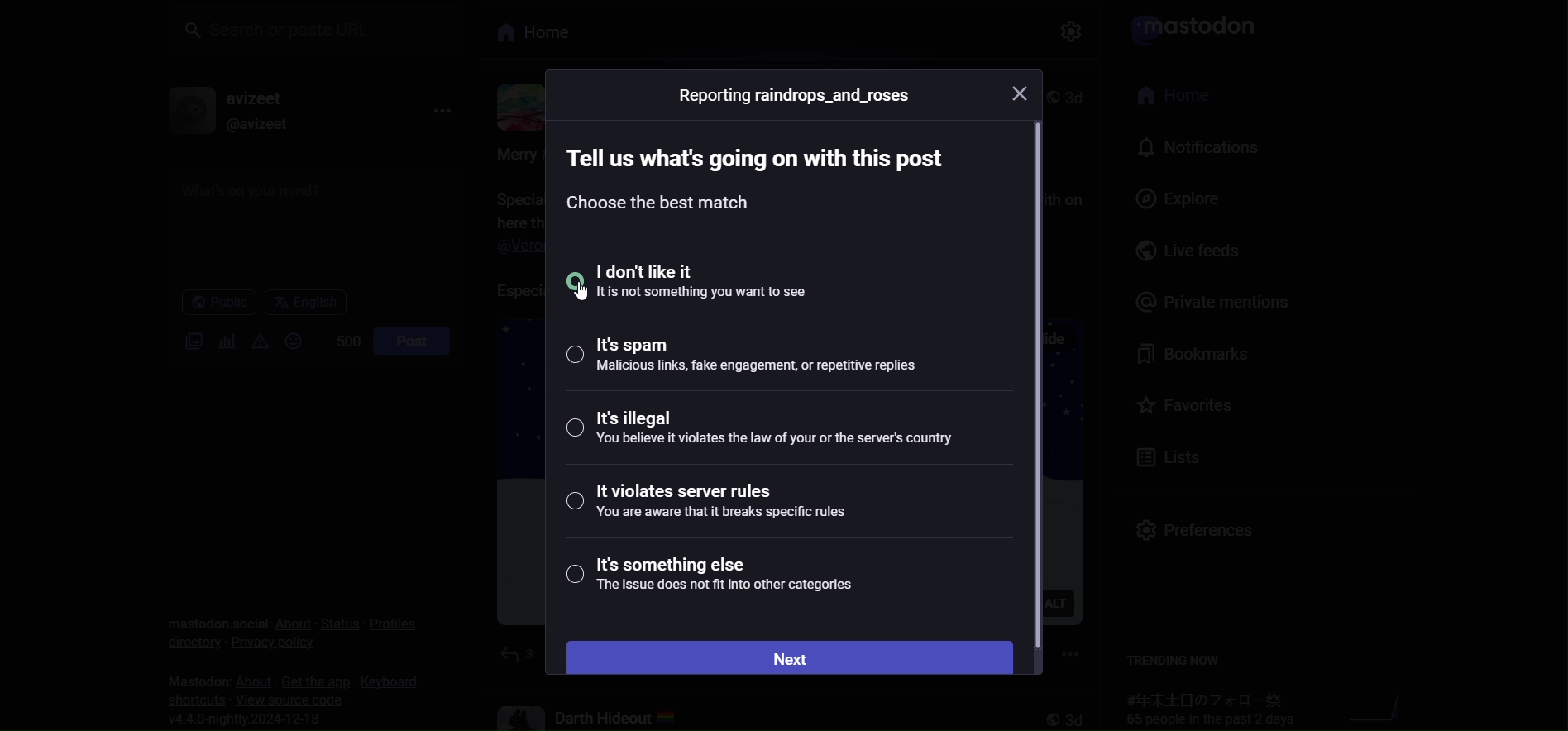 The image size is (1568, 731). Describe the element at coordinates (1024, 93) in the screenshot. I see `close` at that location.